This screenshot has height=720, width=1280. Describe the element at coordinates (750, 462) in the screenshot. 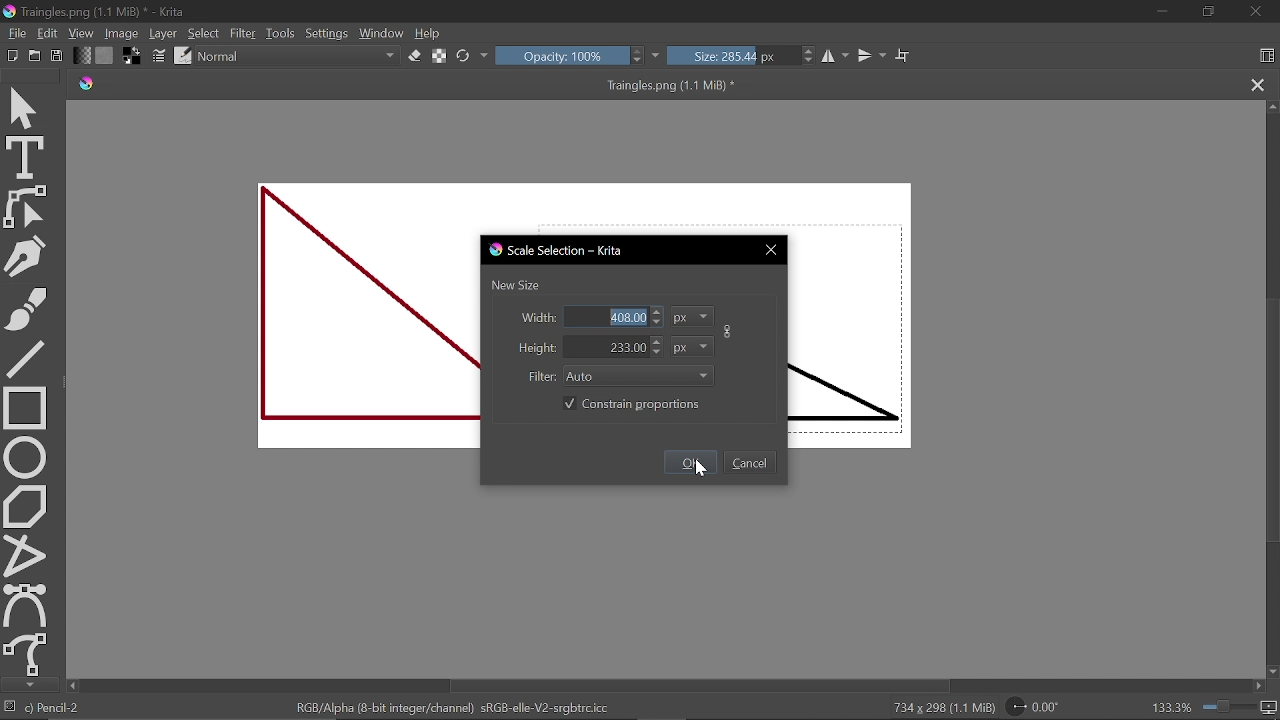

I see `Cancel` at that location.